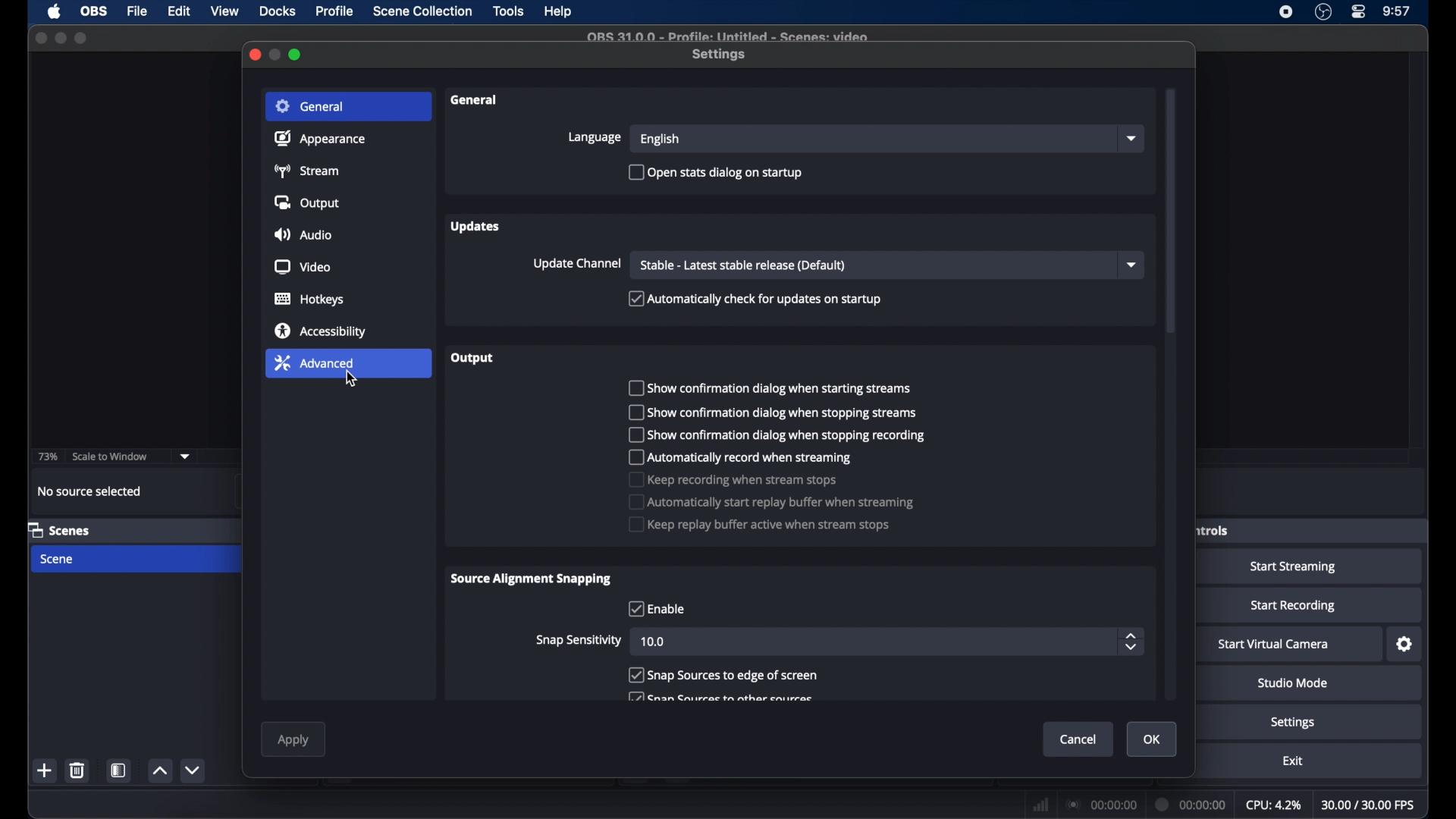  I want to click on profile, so click(335, 11).